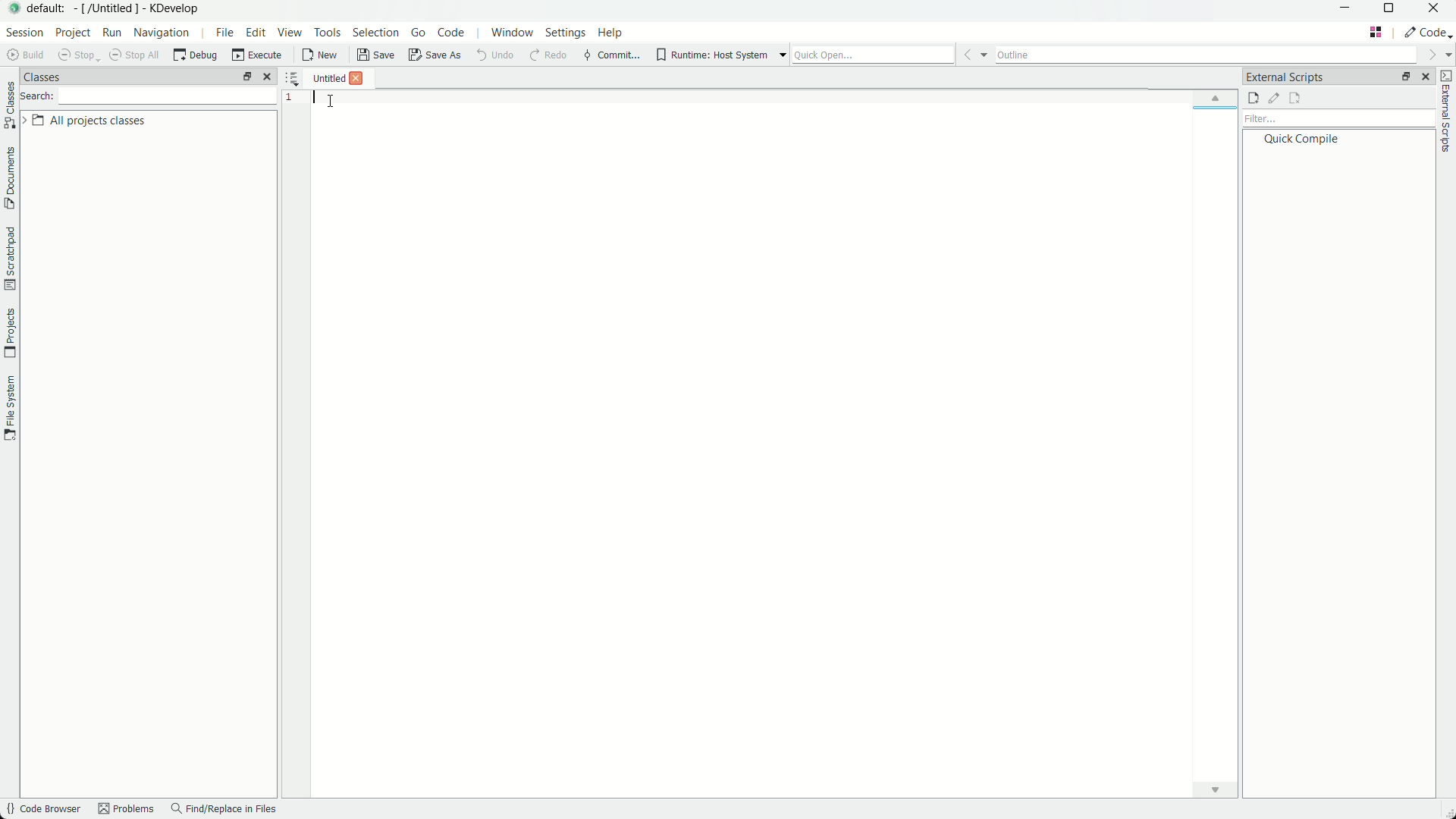 The width and height of the screenshot is (1456, 819). I want to click on find/replace in files, so click(225, 811).